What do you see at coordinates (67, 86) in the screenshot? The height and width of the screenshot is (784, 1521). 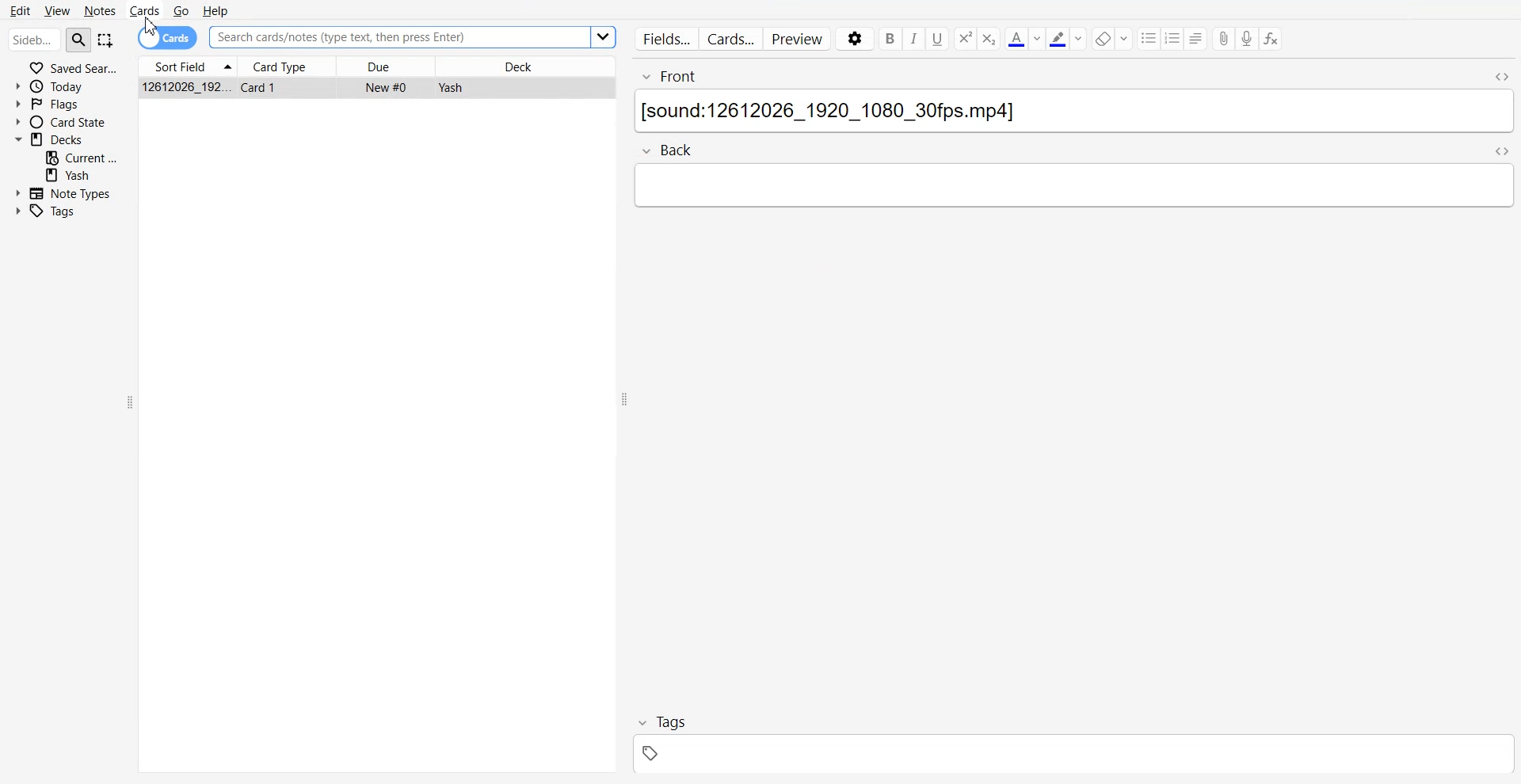 I see `Today` at bounding box center [67, 86].